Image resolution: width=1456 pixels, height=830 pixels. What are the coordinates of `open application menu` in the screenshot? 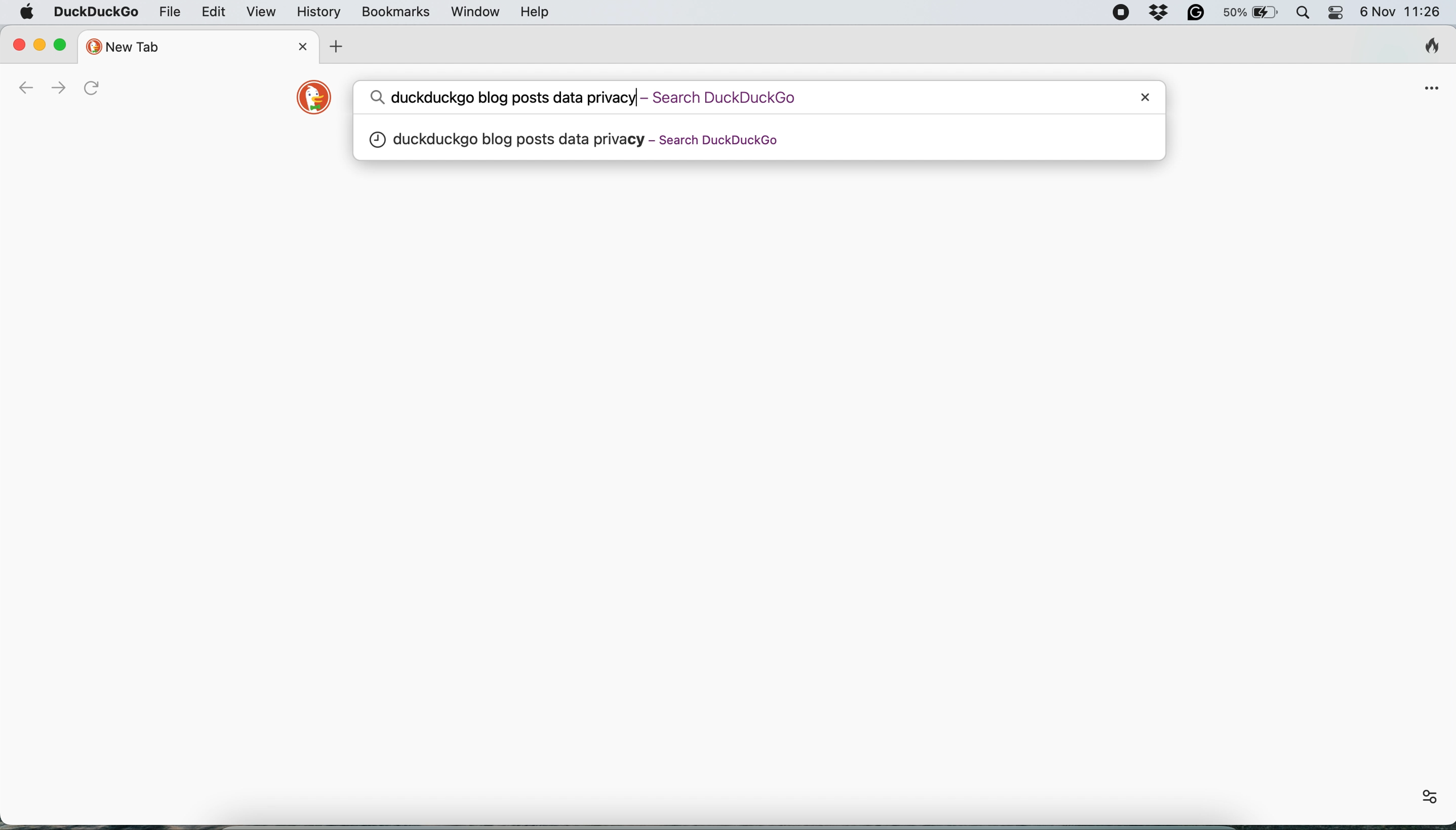 It's located at (1431, 88).